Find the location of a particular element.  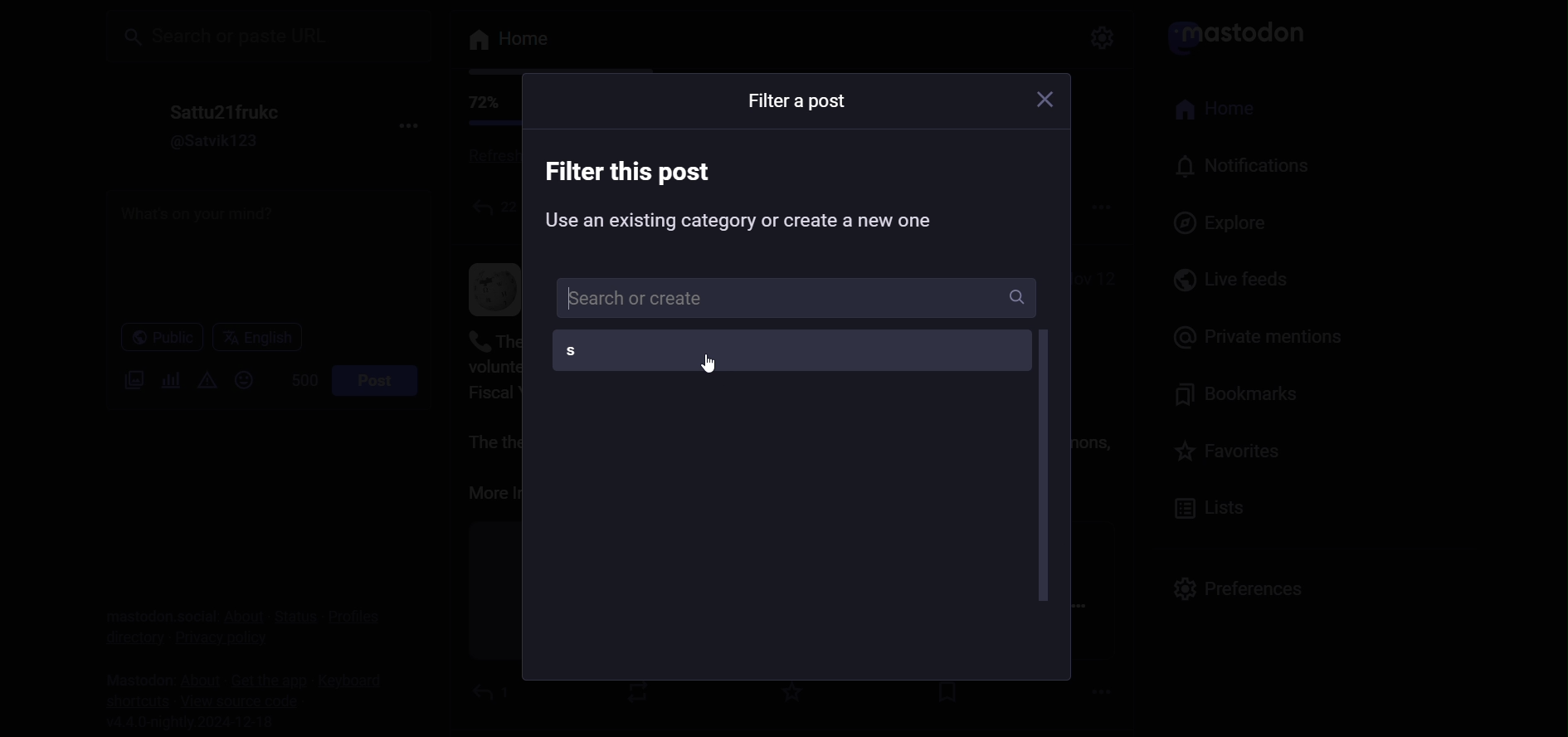

name is located at coordinates (221, 110).